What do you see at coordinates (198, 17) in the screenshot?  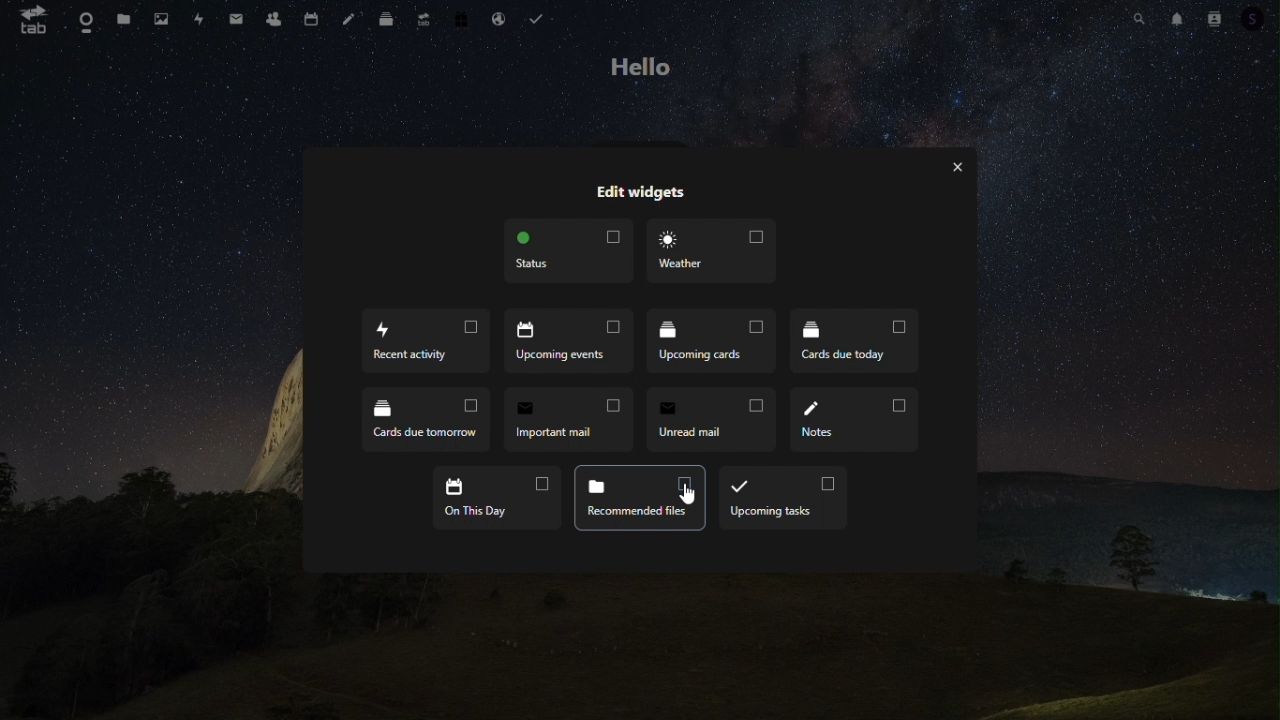 I see `activity` at bounding box center [198, 17].